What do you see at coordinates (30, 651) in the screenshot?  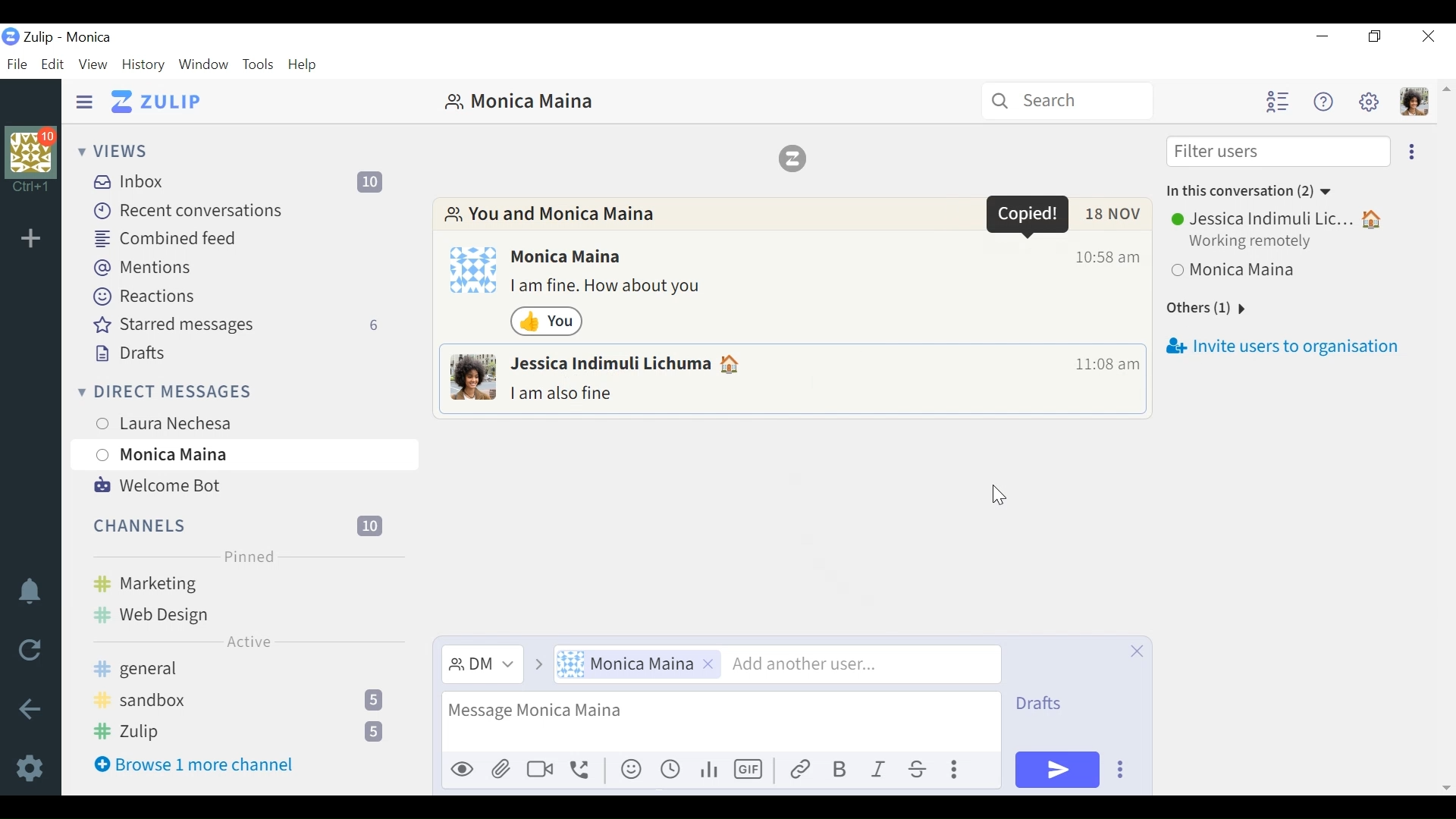 I see `Reload` at bounding box center [30, 651].